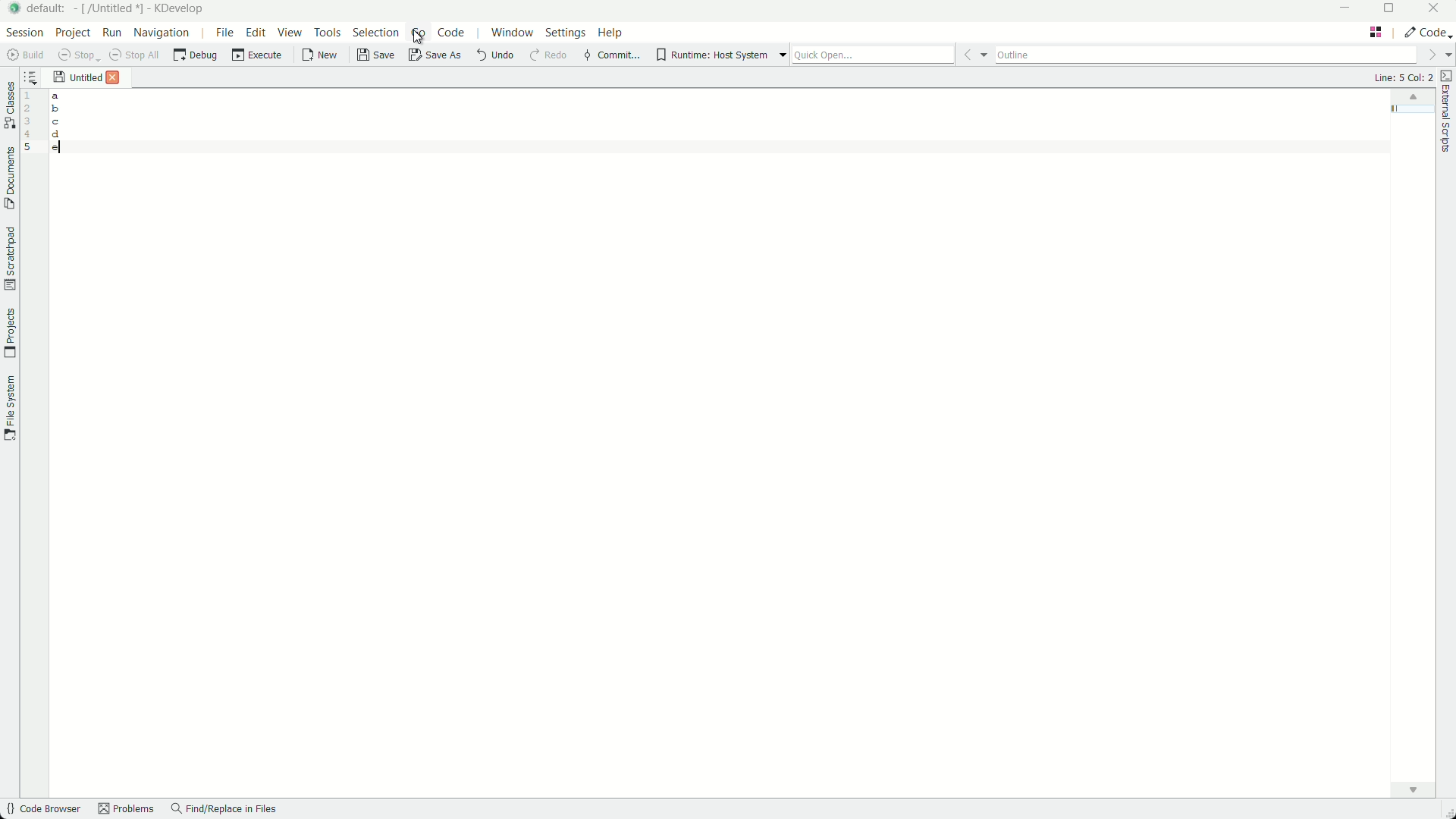 The height and width of the screenshot is (819, 1456). What do you see at coordinates (1410, 98) in the screenshot?
I see `minimap` at bounding box center [1410, 98].